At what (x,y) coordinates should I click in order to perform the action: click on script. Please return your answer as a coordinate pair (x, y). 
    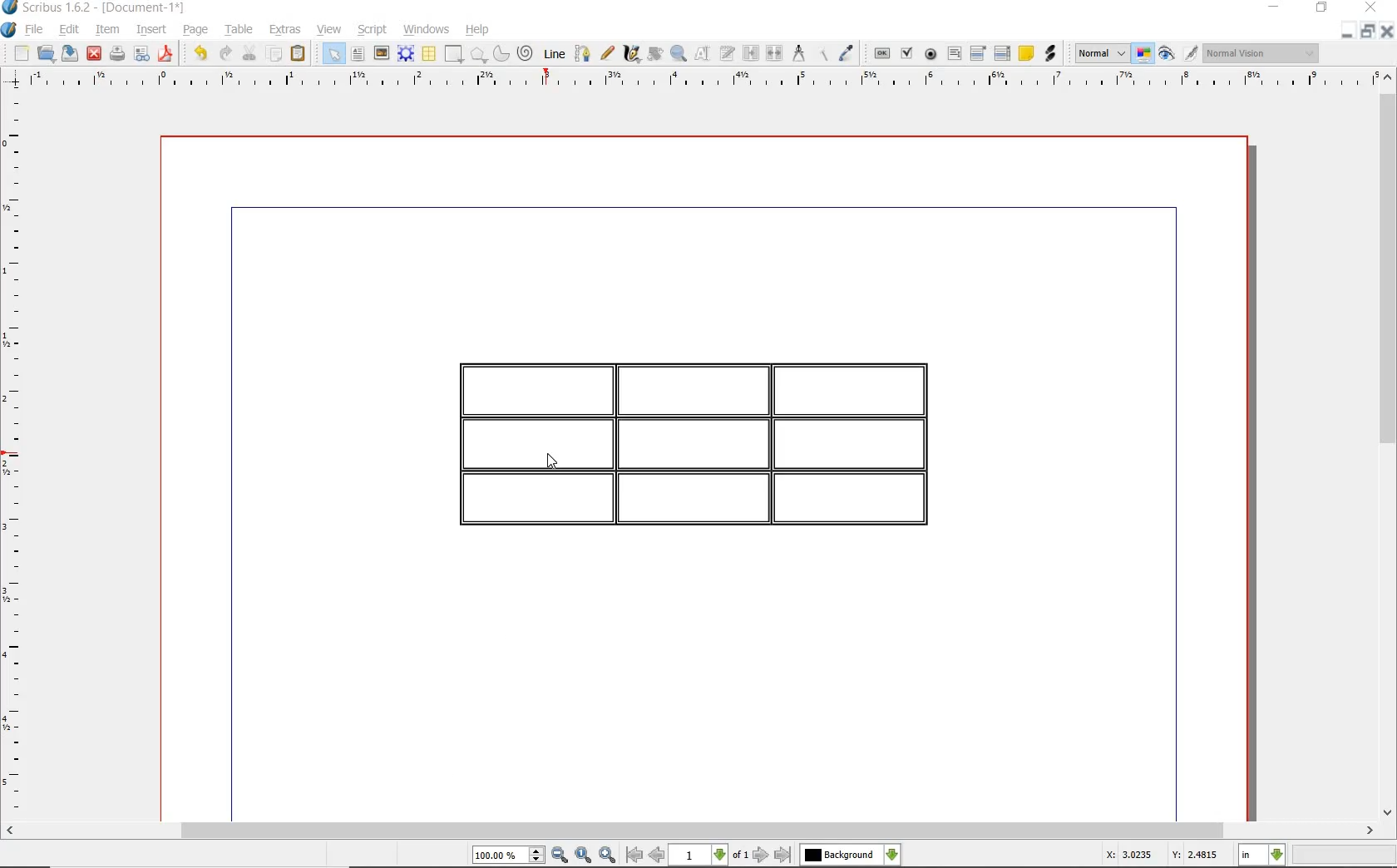
    Looking at the image, I should click on (373, 31).